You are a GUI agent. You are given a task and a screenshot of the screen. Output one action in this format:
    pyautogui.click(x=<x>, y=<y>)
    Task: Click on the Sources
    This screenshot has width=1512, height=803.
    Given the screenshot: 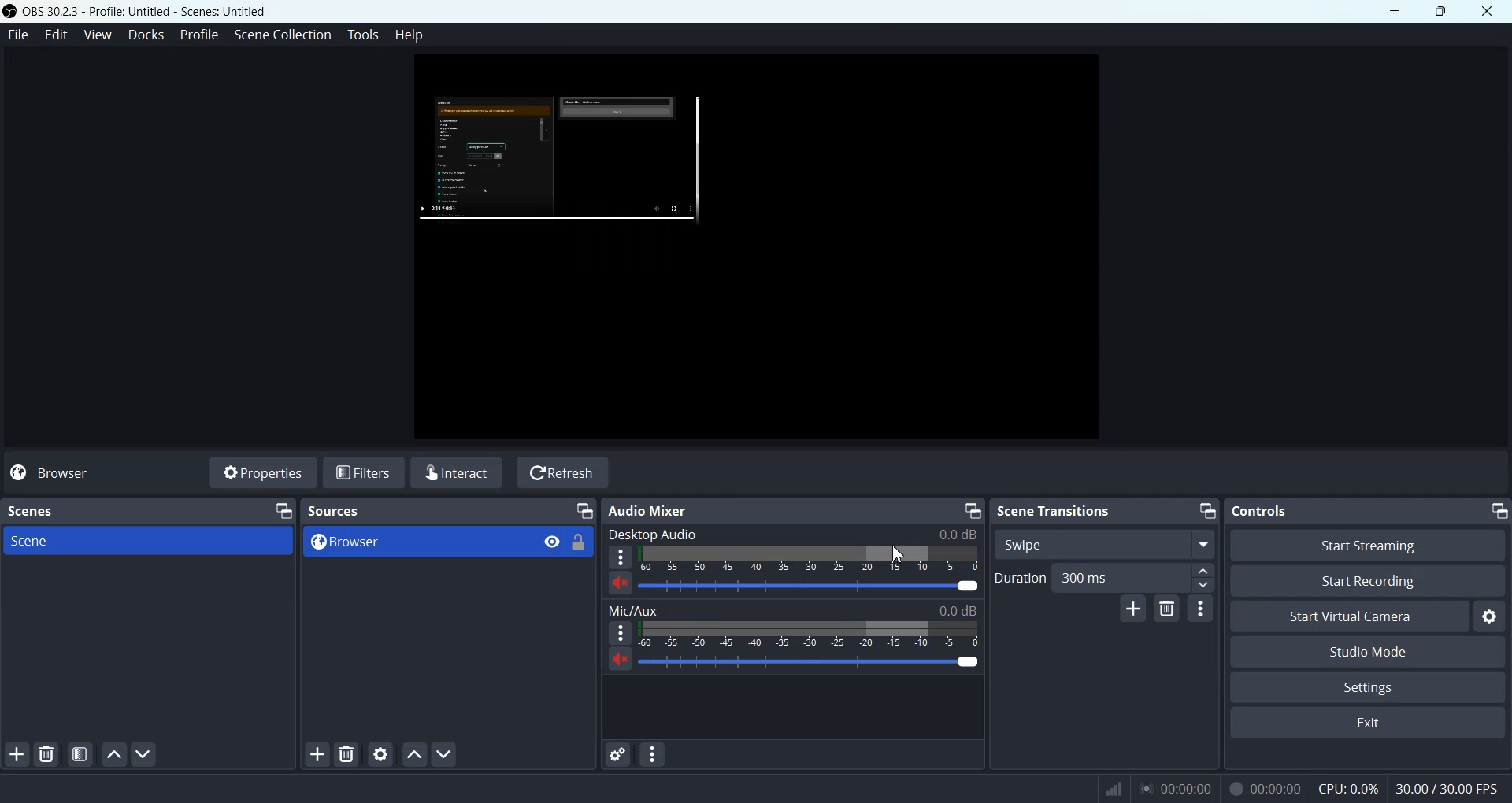 What is the action you would take?
    pyautogui.click(x=335, y=511)
    